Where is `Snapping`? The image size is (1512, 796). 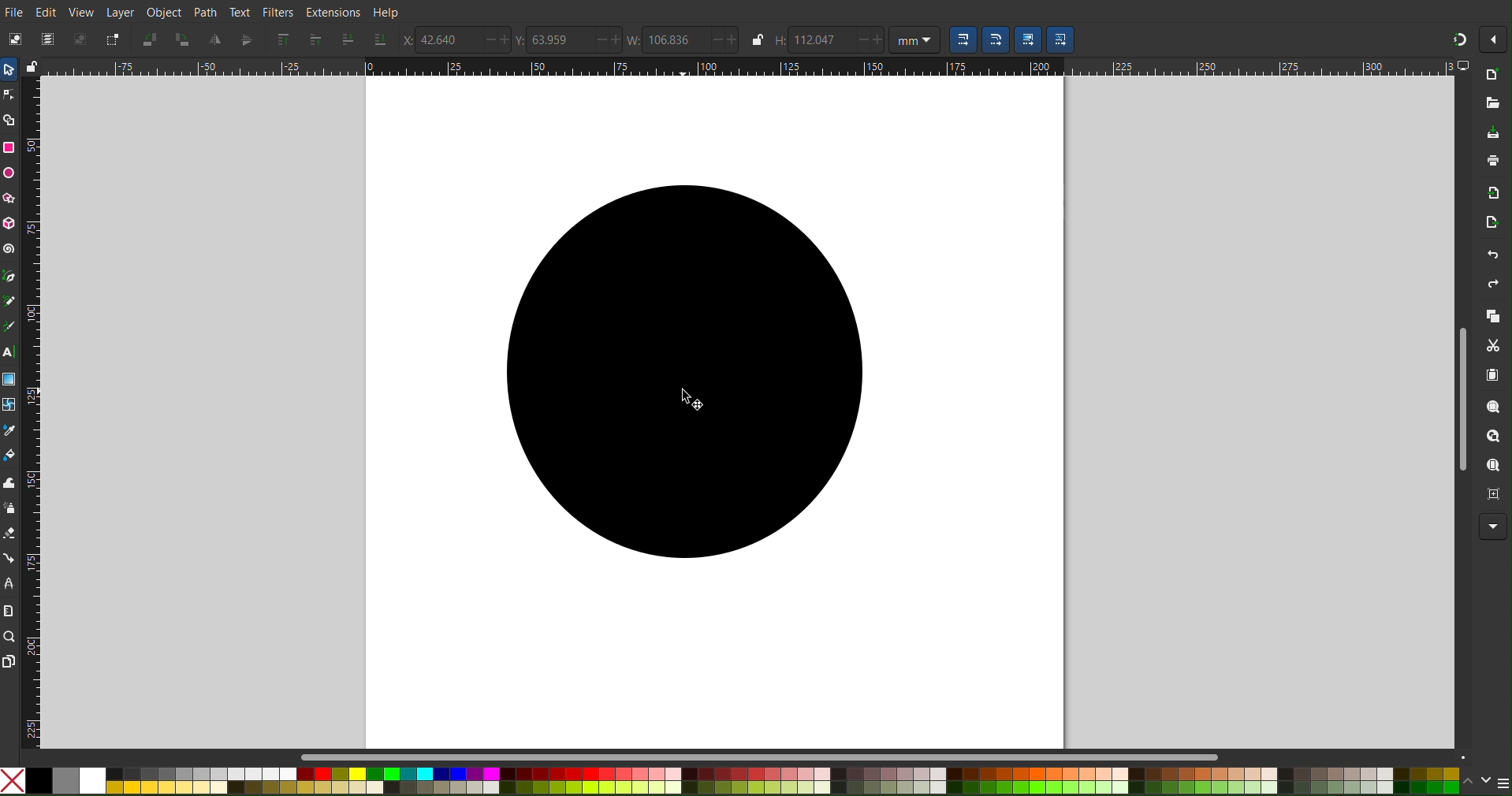 Snapping is located at coordinates (1454, 39).